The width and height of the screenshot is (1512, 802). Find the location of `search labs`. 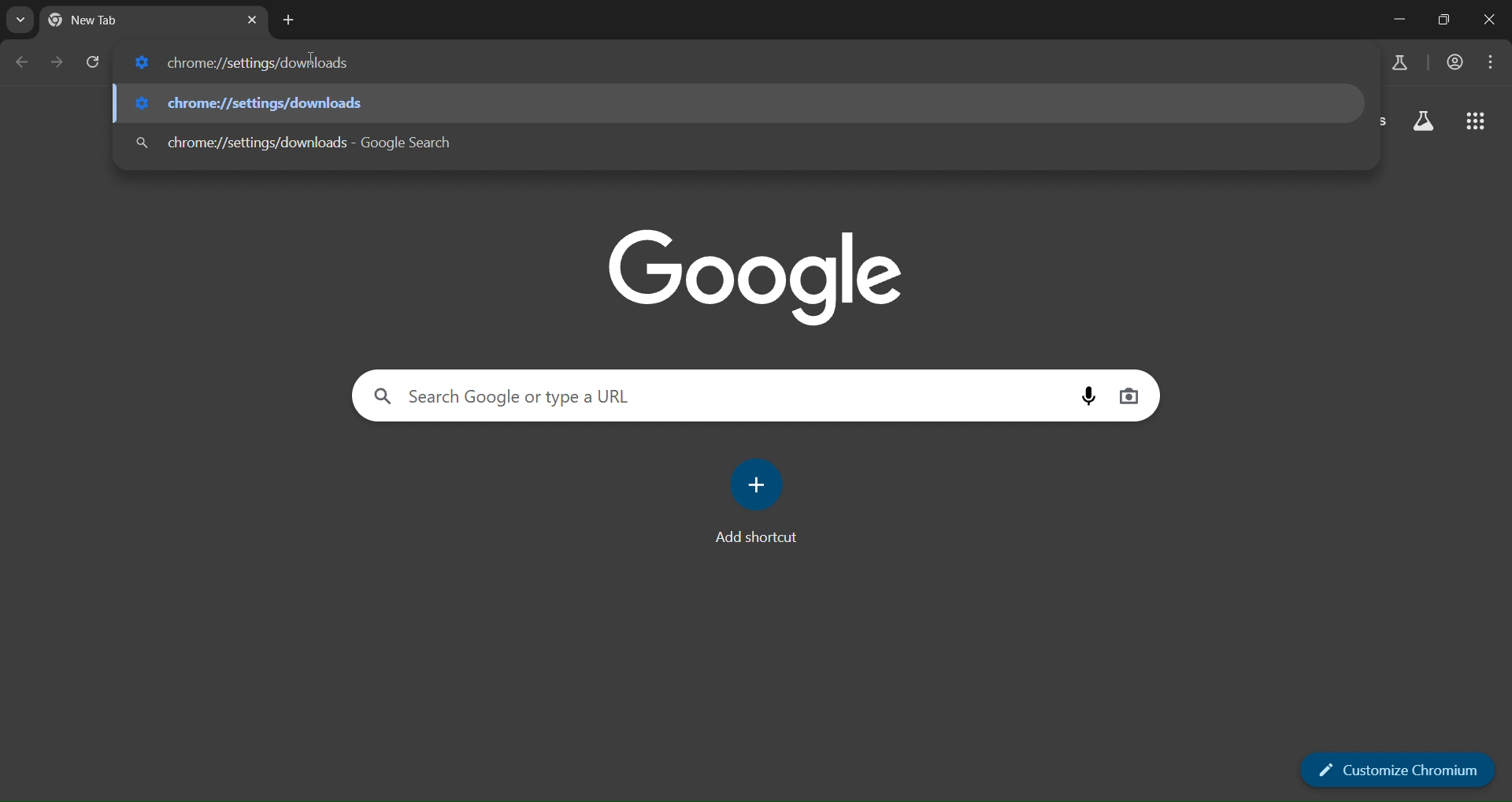

search labs is located at coordinates (1399, 62).